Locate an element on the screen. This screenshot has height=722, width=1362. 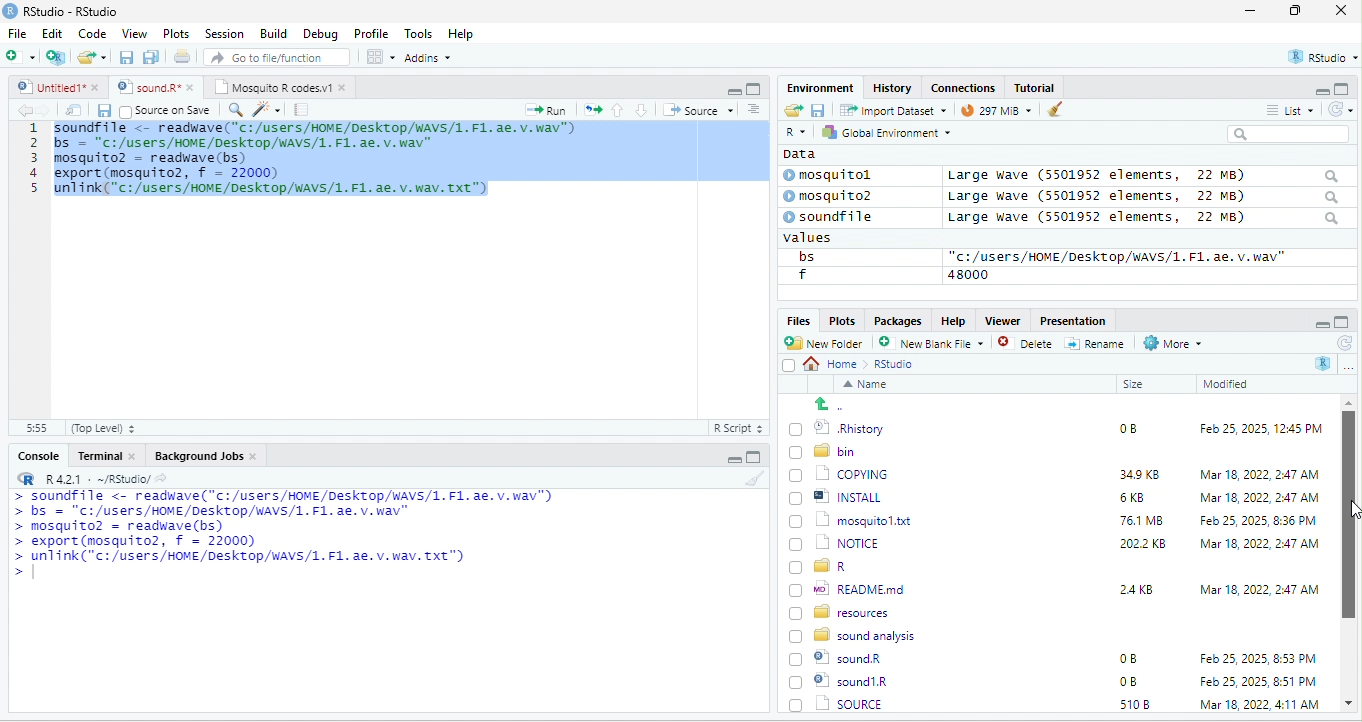
0B is located at coordinates (1127, 659).